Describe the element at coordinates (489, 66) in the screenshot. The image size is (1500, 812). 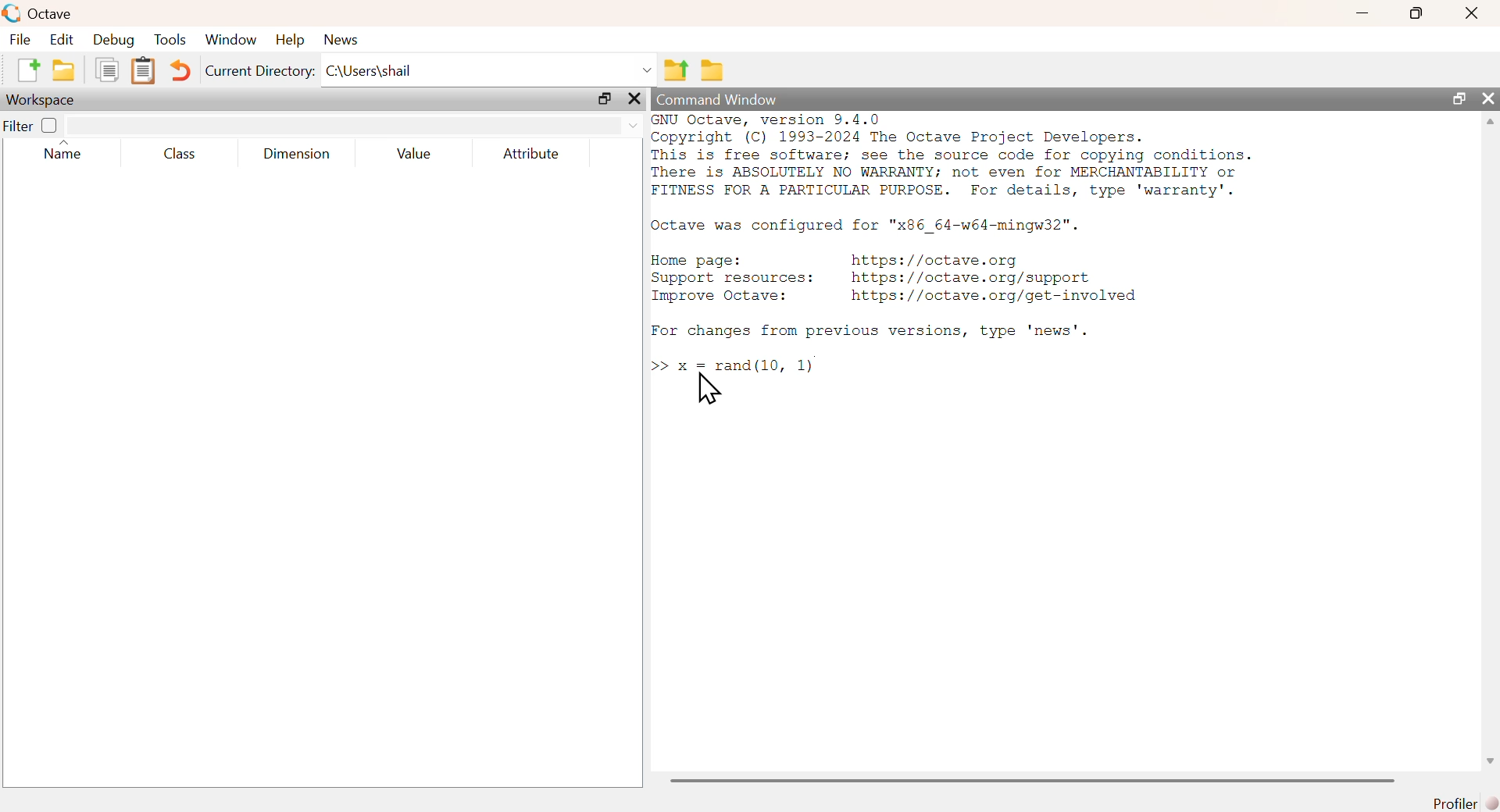
I see `C:\Users\shail ` at that location.